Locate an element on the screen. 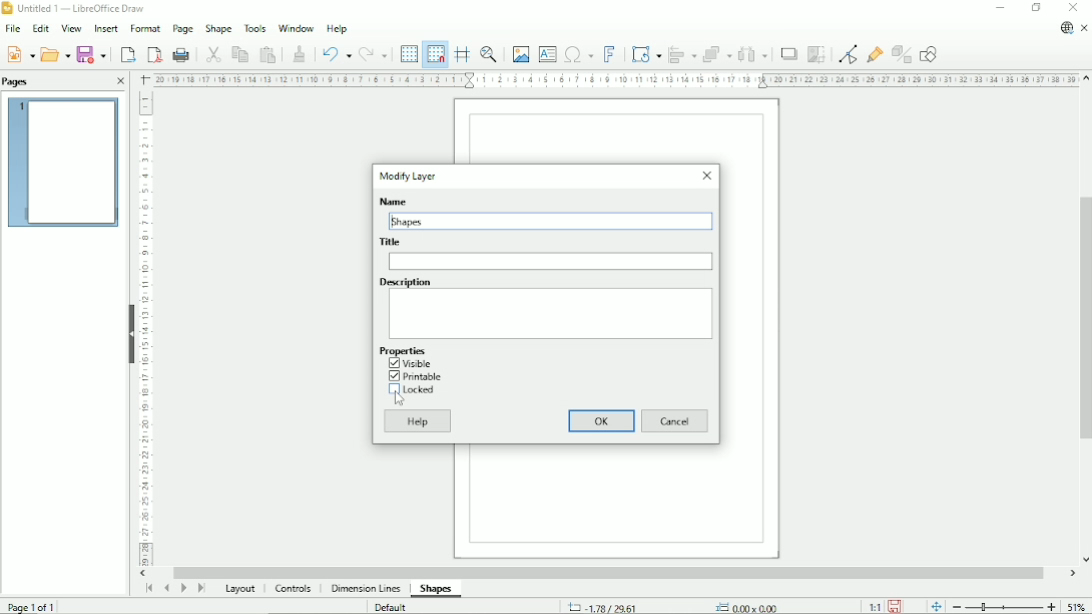 This screenshot has width=1092, height=614. Crop image is located at coordinates (816, 55).